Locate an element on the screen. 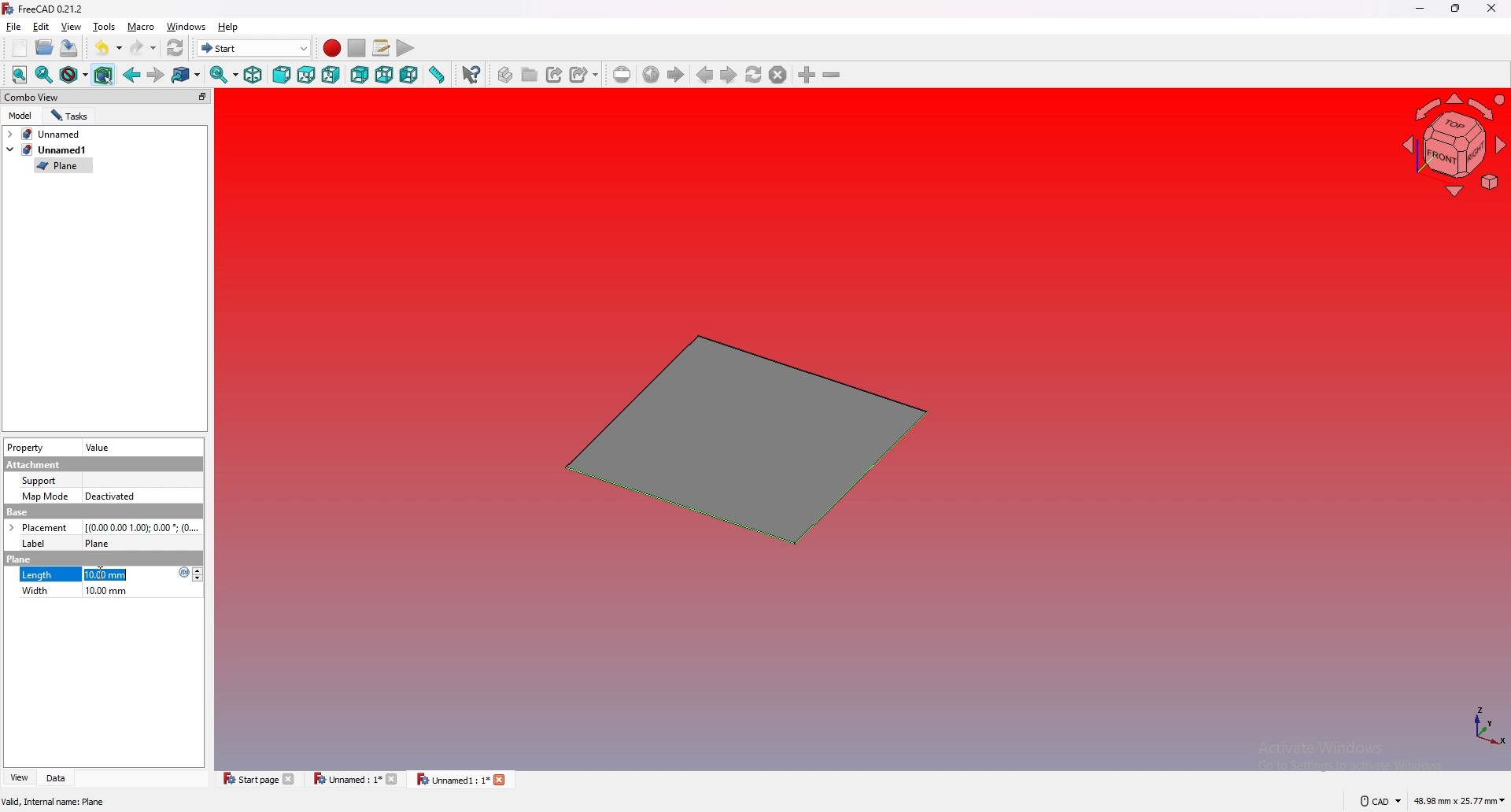 This screenshot has height=812, width=1511. tab1: Unnamed is located at coordinates (49, 134).